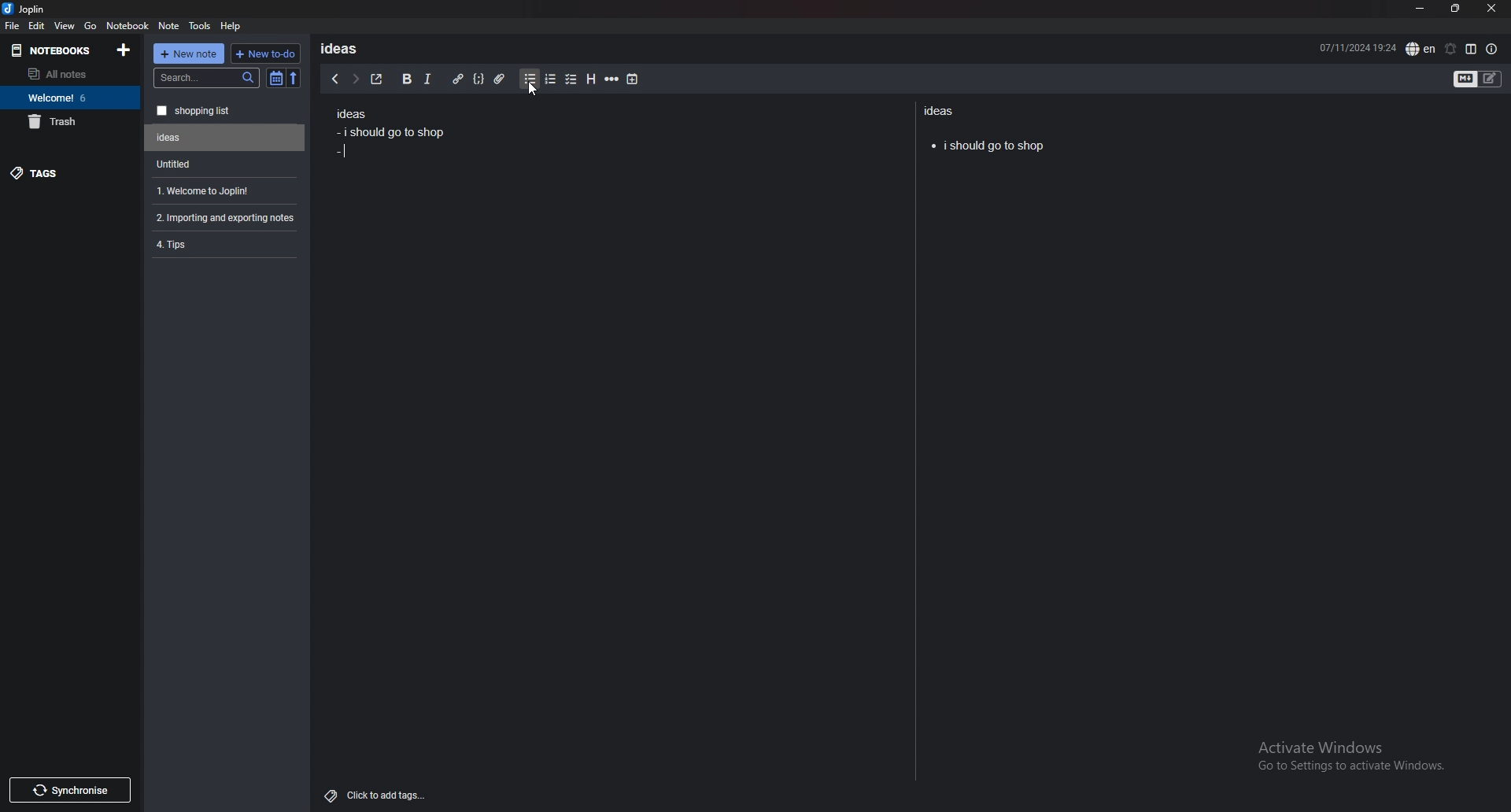 Image resolution: width=1511 pixels, height=812 pixels. I want to click on Joplin, so click(36, 9).